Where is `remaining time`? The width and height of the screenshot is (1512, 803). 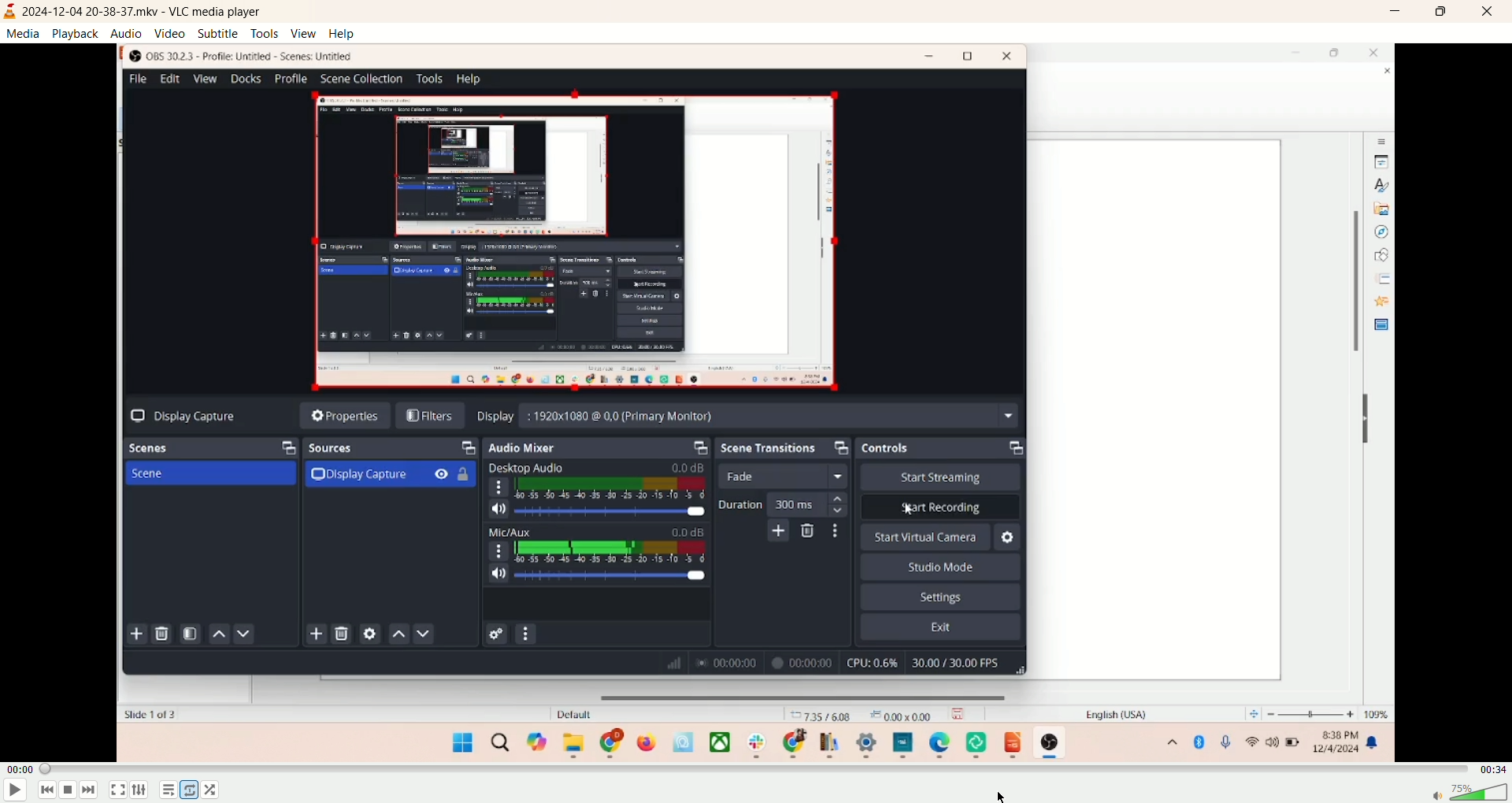 remaining time is located at coordinates (1492, 768).